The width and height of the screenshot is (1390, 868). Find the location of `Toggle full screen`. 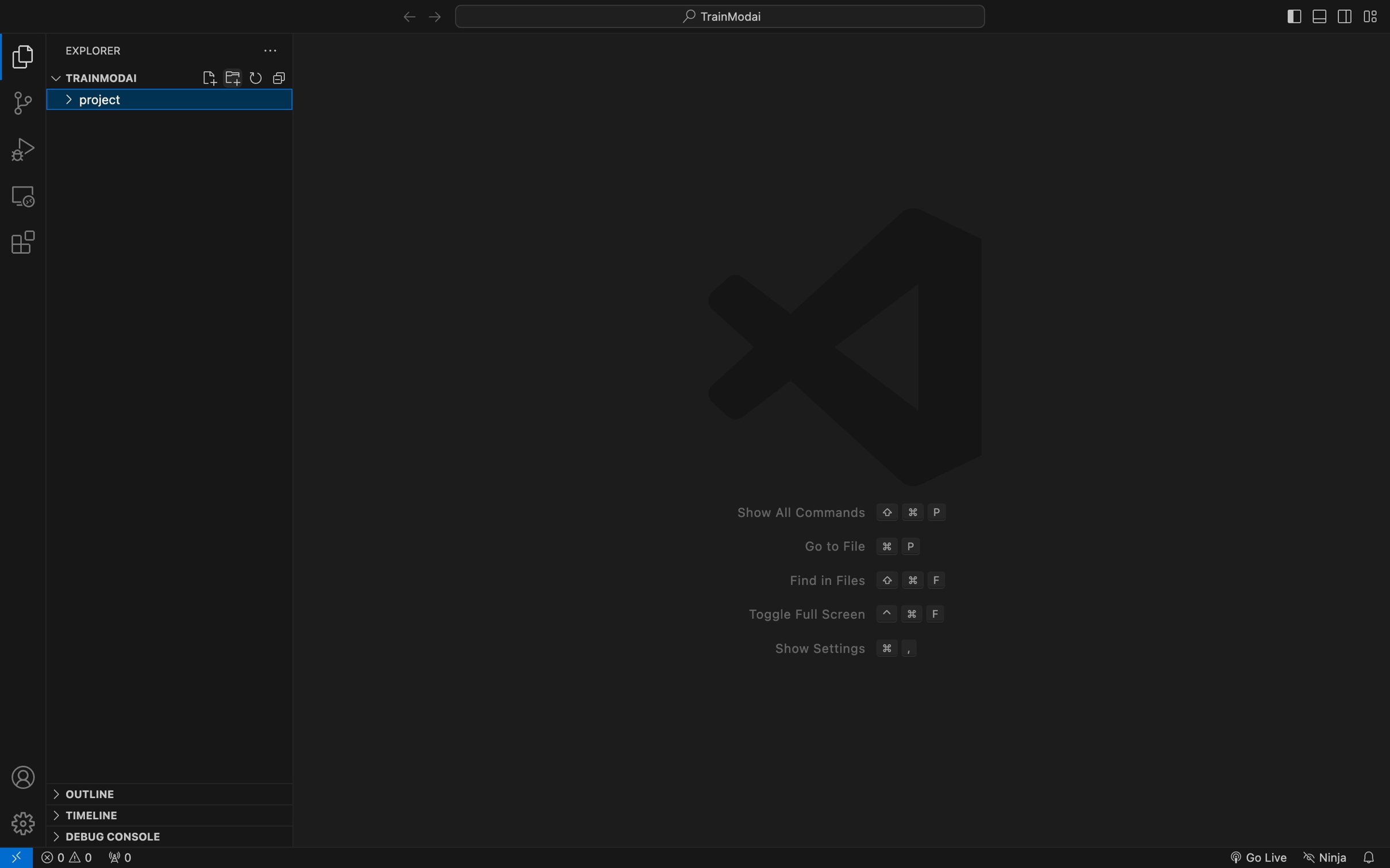

Toggle full screen is located at coordinates (841, 614).